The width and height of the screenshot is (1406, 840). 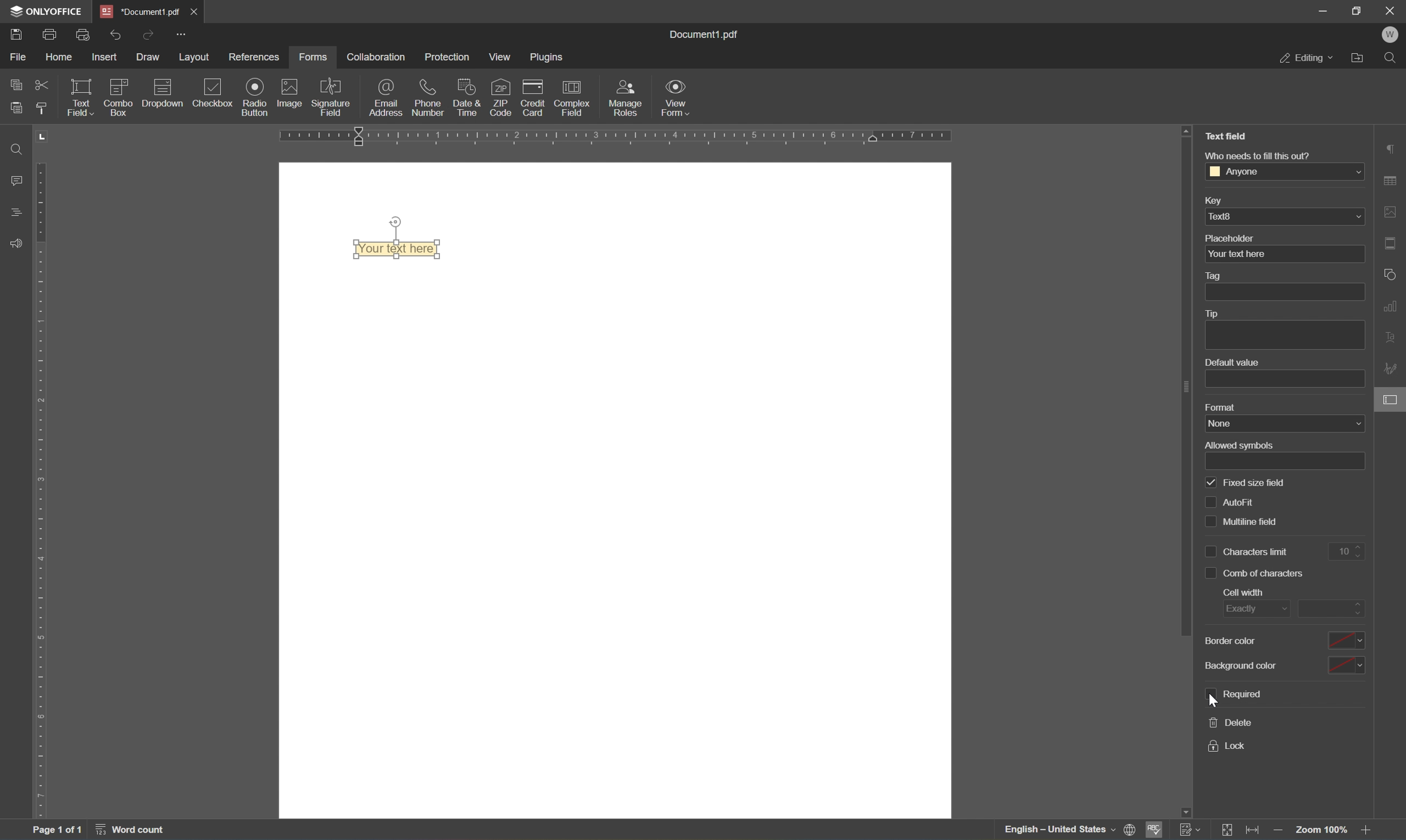 What do you see at coordinates (20, 58) in the screenshot?
I see `file` at bounding box center [20, 58].